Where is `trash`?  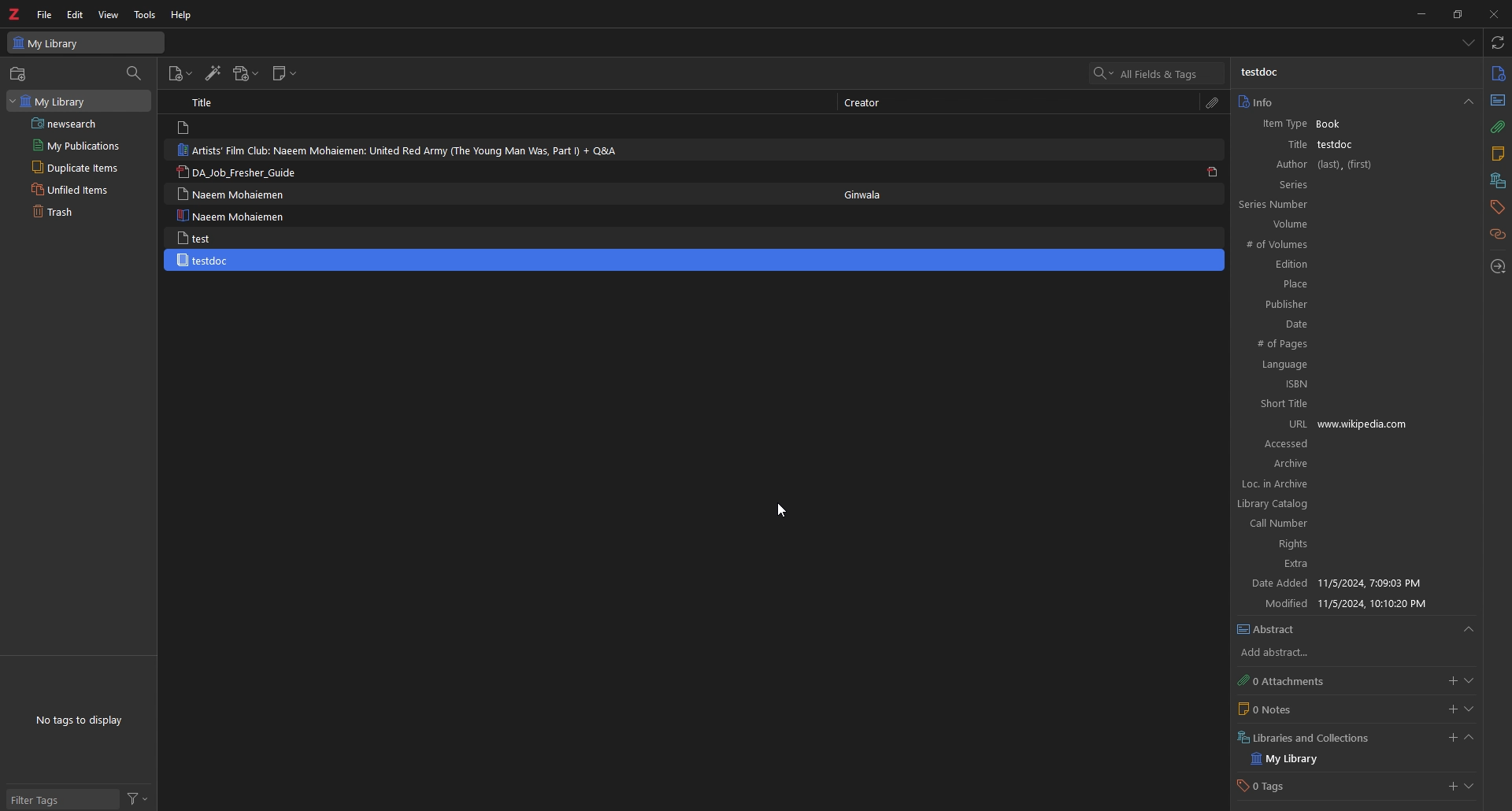 trash is located at coordinates (72, 212).